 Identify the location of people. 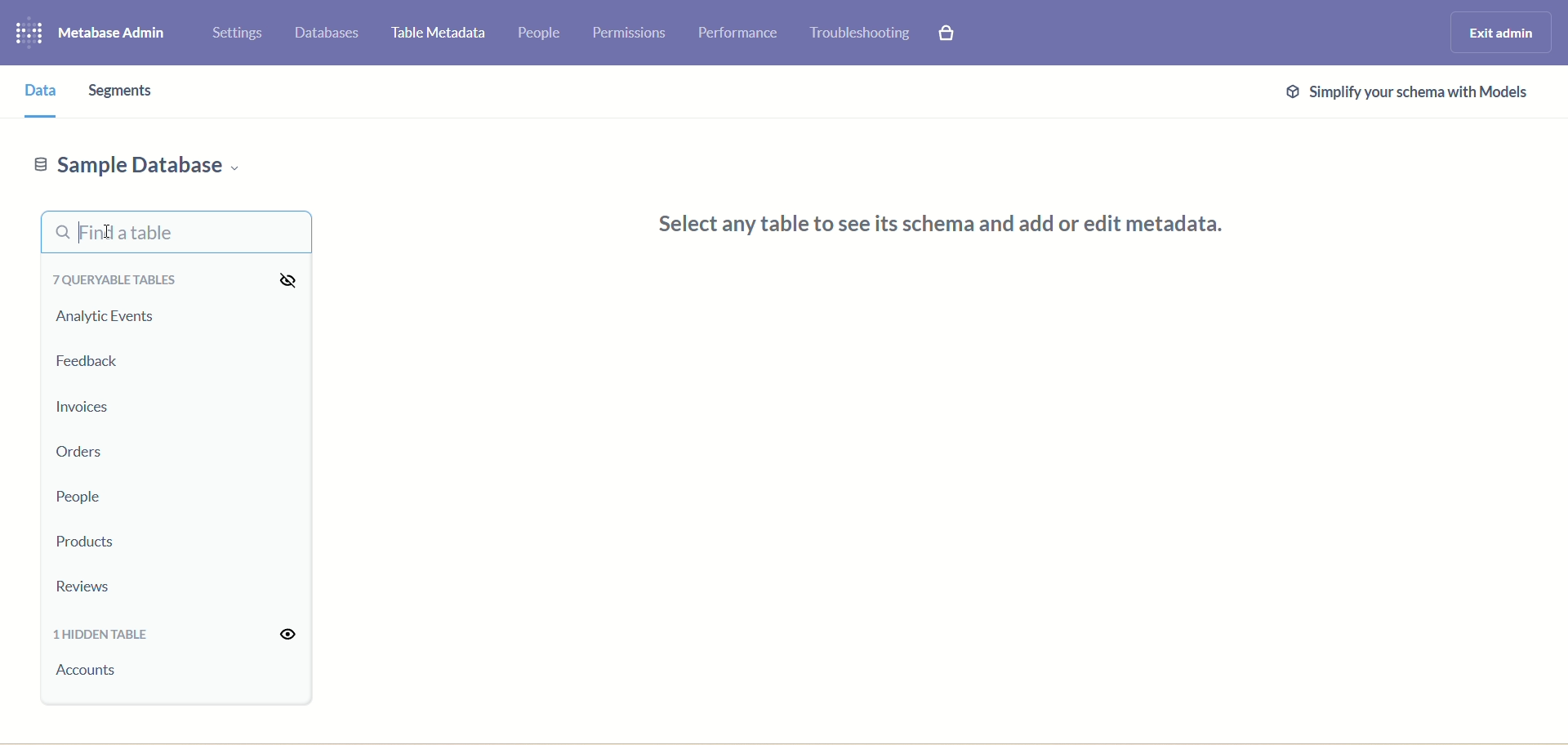
(81, 497).